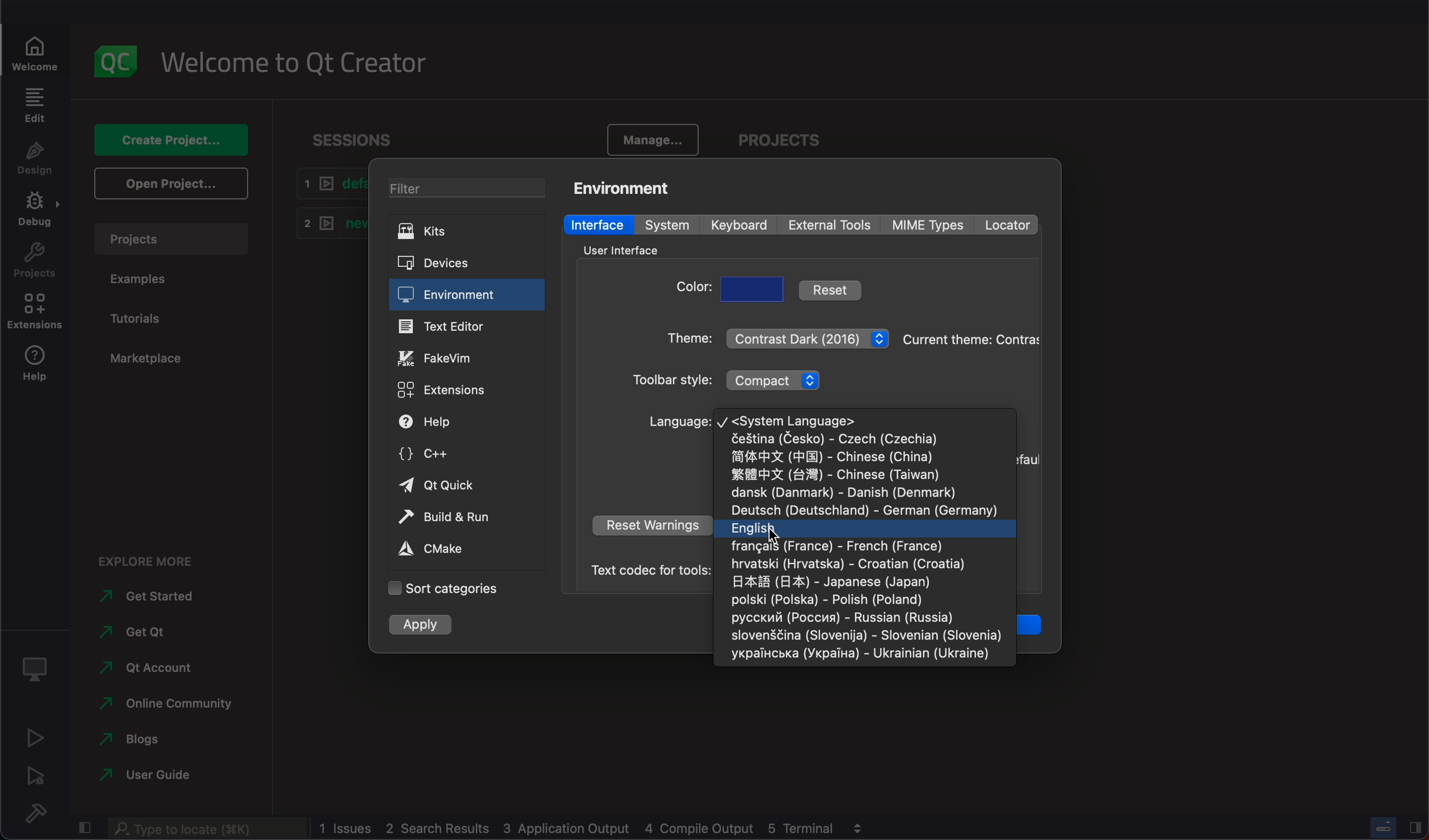 This screenshot has width=1429, height=840. I want to click on theme, so click(684, 337).